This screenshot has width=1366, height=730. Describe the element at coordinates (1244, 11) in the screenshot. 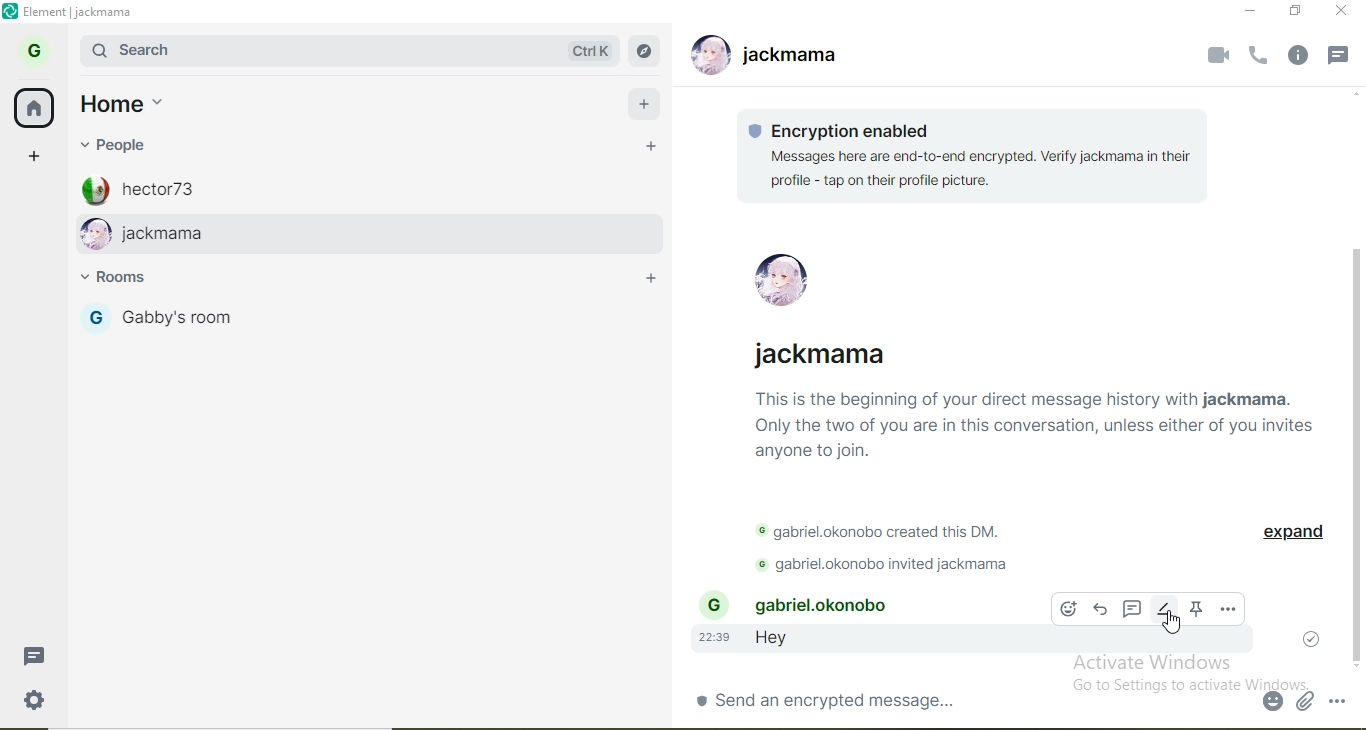

I see `minimise` at that location.